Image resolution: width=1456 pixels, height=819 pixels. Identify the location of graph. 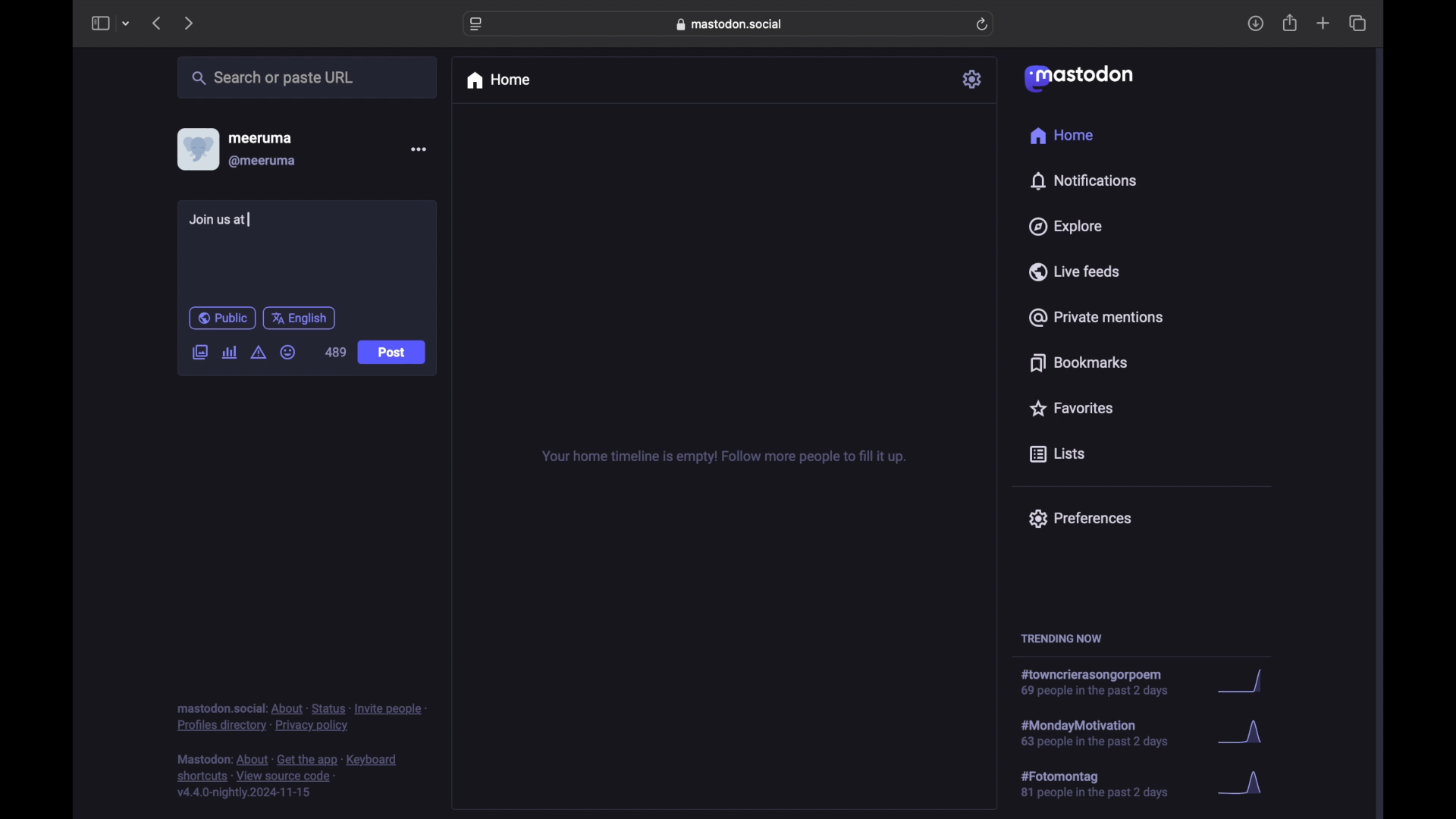
(1245, 784).